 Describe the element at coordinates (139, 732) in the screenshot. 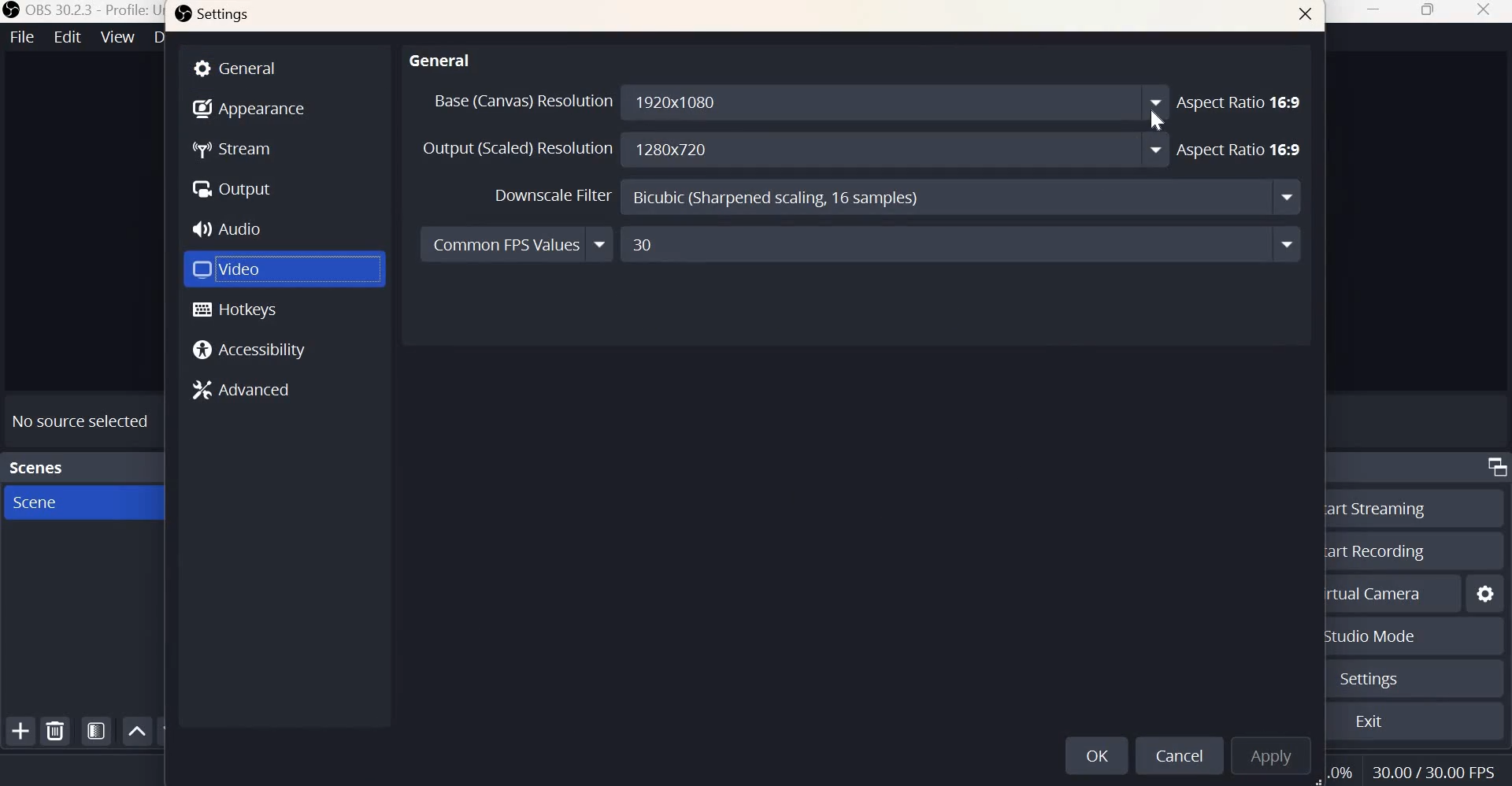

I see `Move scene up` at that location.